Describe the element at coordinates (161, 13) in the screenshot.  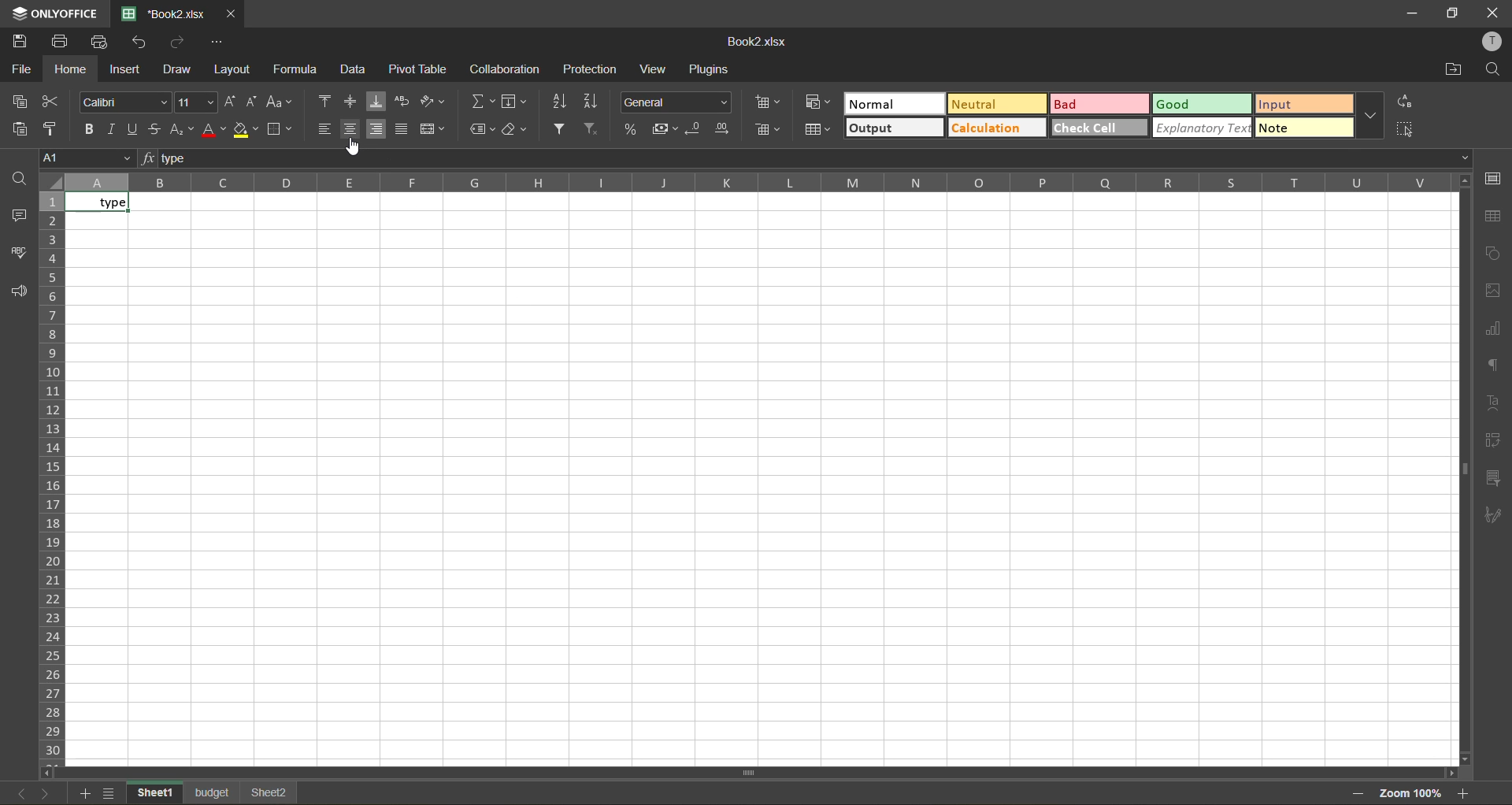
I see `Book2.xlsx` at that location.